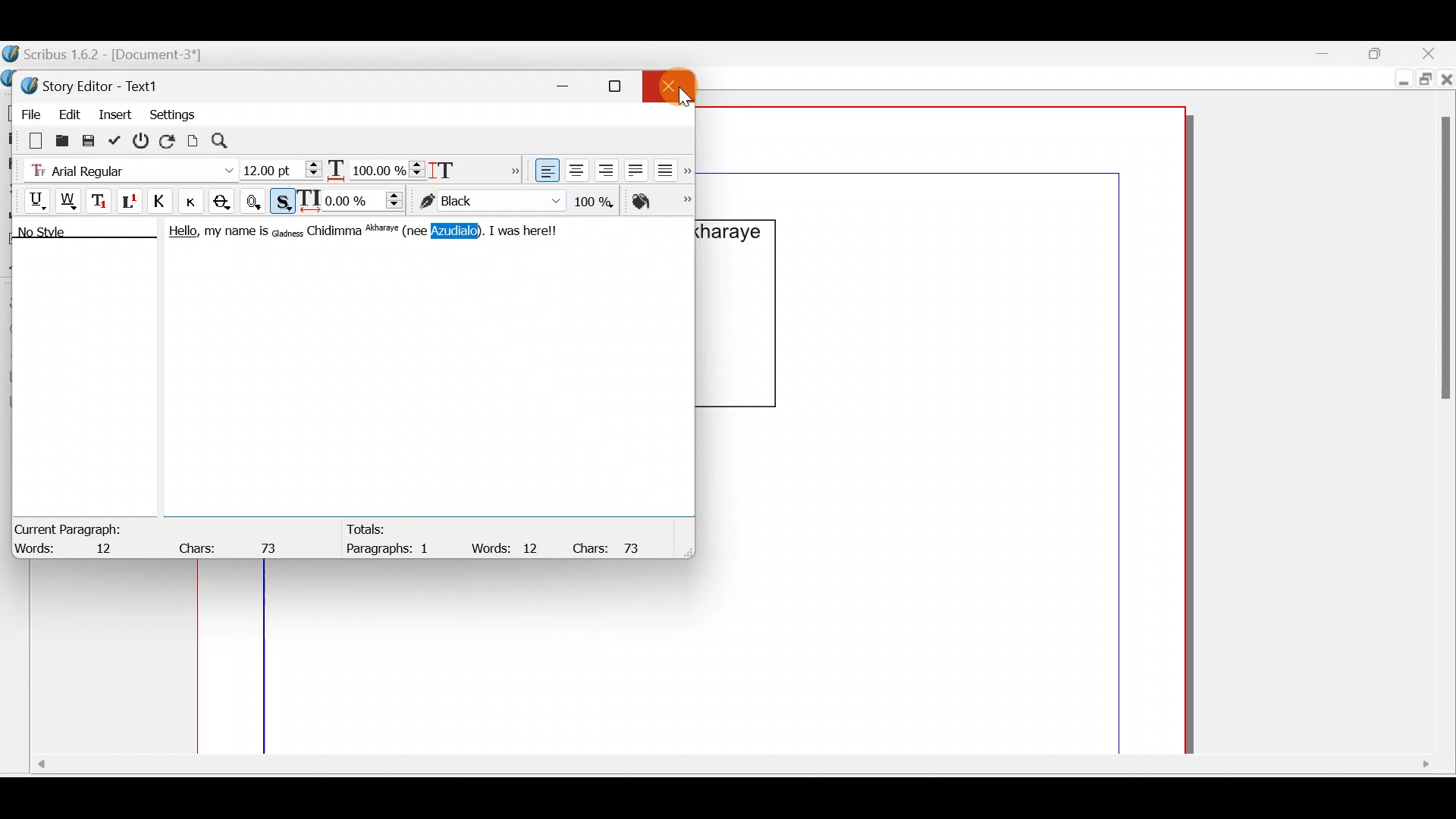 The image size is (1456, 819). Describe the element at coordinates (511, 168) in the screenshot. I see `More` at that location.